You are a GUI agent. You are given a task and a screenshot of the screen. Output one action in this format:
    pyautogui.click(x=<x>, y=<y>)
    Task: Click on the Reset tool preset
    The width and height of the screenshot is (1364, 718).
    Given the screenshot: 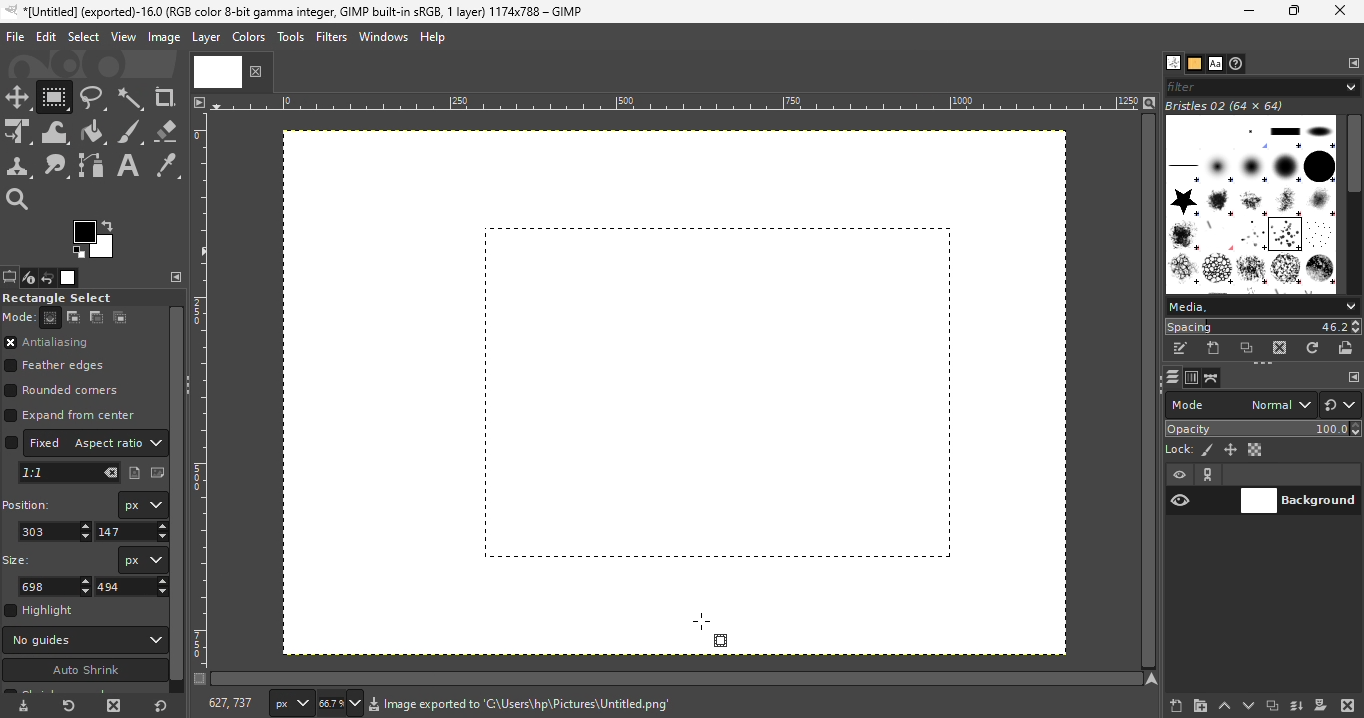 What is the action you would take?
    pyautogui.click(x=67, y=707)
    